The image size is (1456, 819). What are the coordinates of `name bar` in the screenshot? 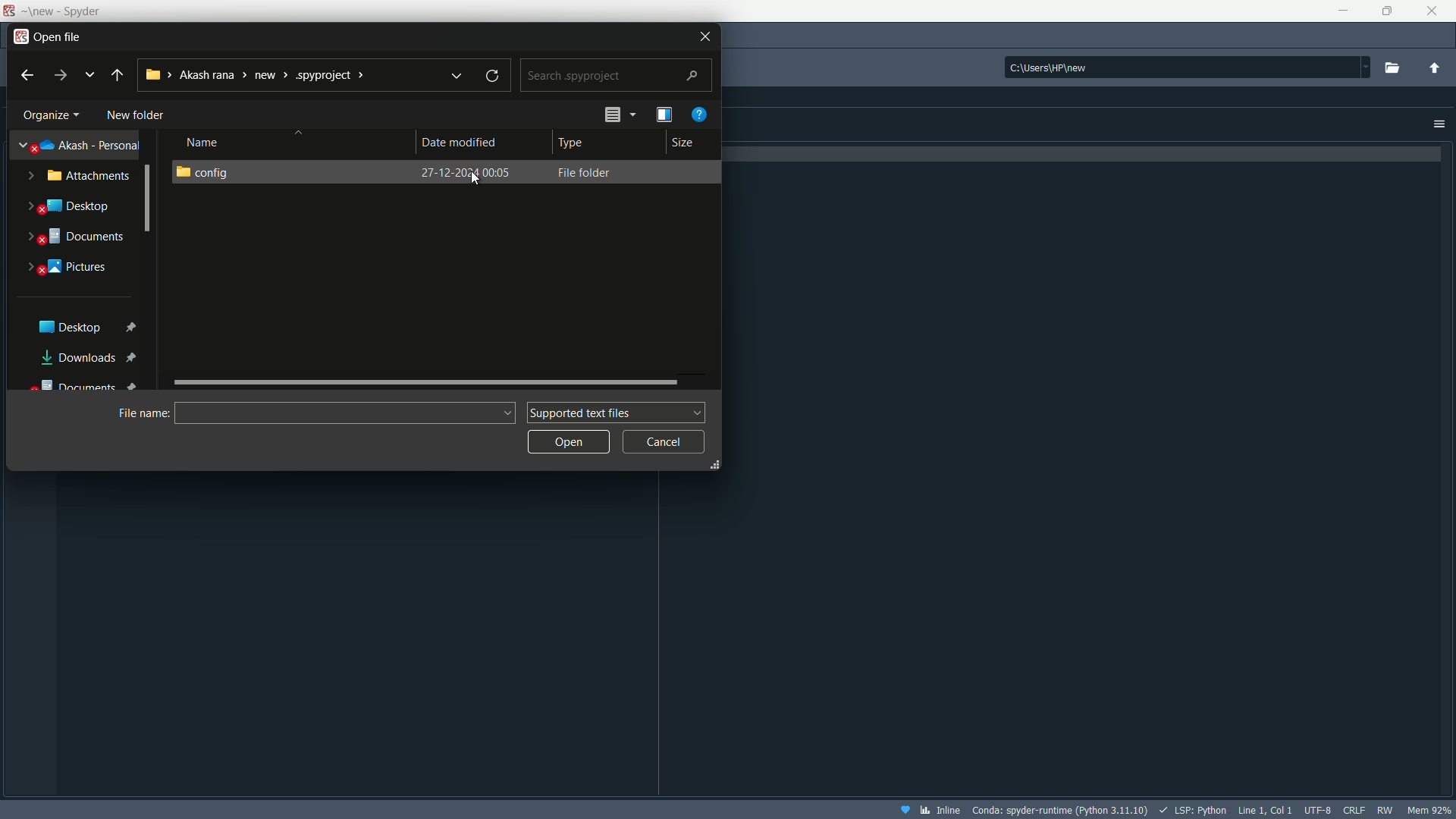 It's located at (345, 411).